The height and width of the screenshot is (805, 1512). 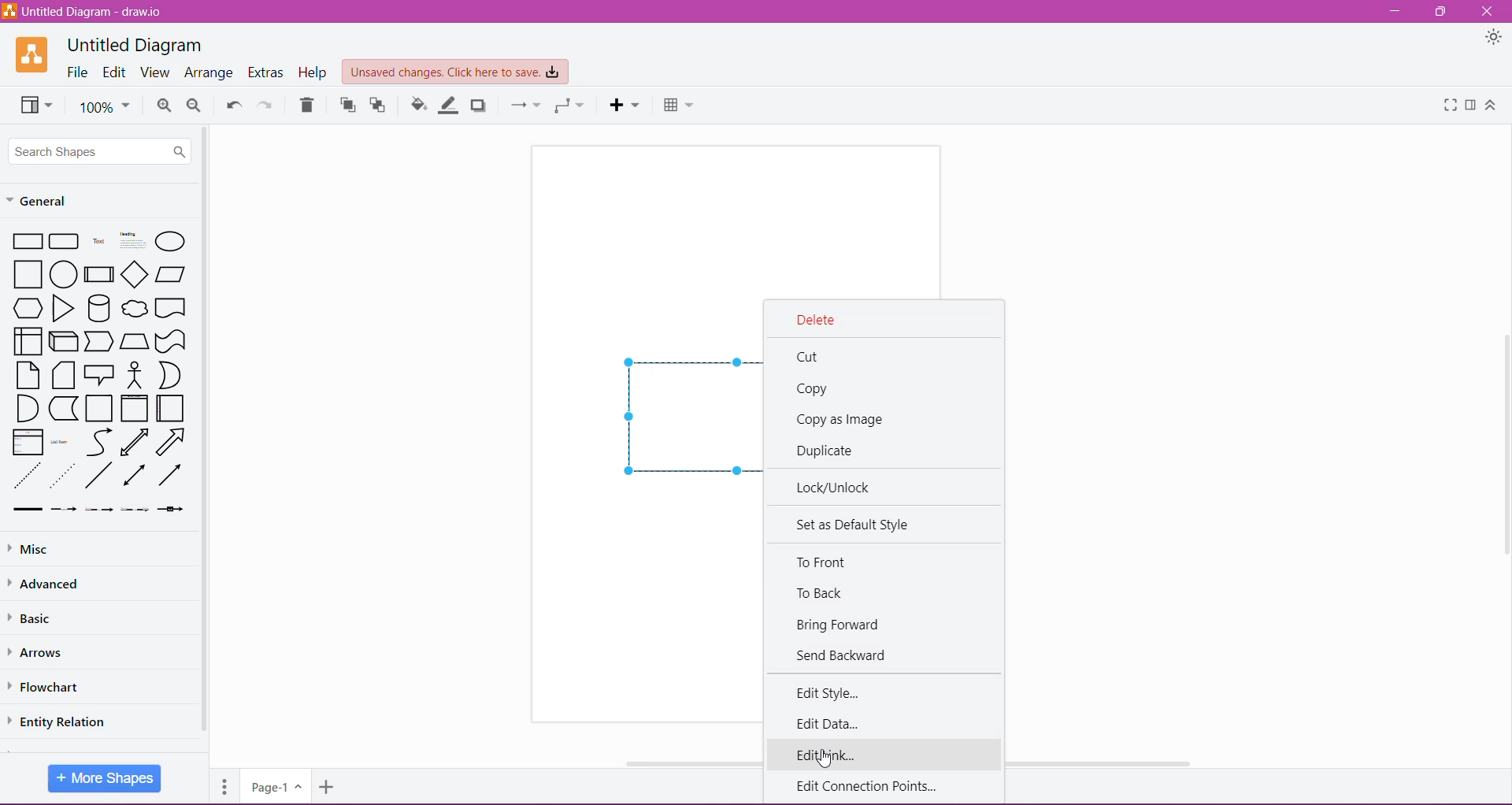 What do you see at coordinates (843, 421) in the screenshot?
I see `Copy as Image` at bounding box center [843, 421].